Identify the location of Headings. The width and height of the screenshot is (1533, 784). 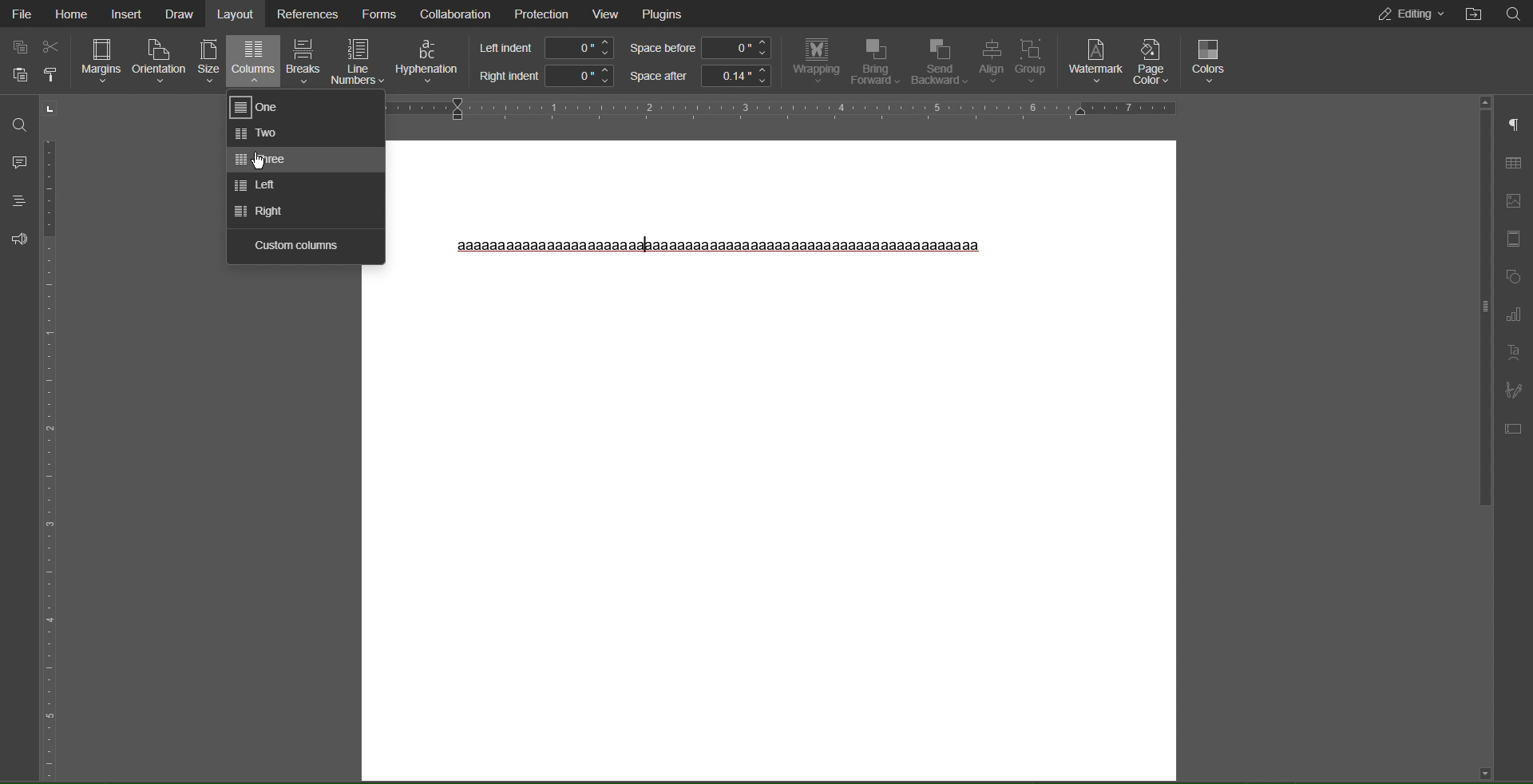
(18, 200).